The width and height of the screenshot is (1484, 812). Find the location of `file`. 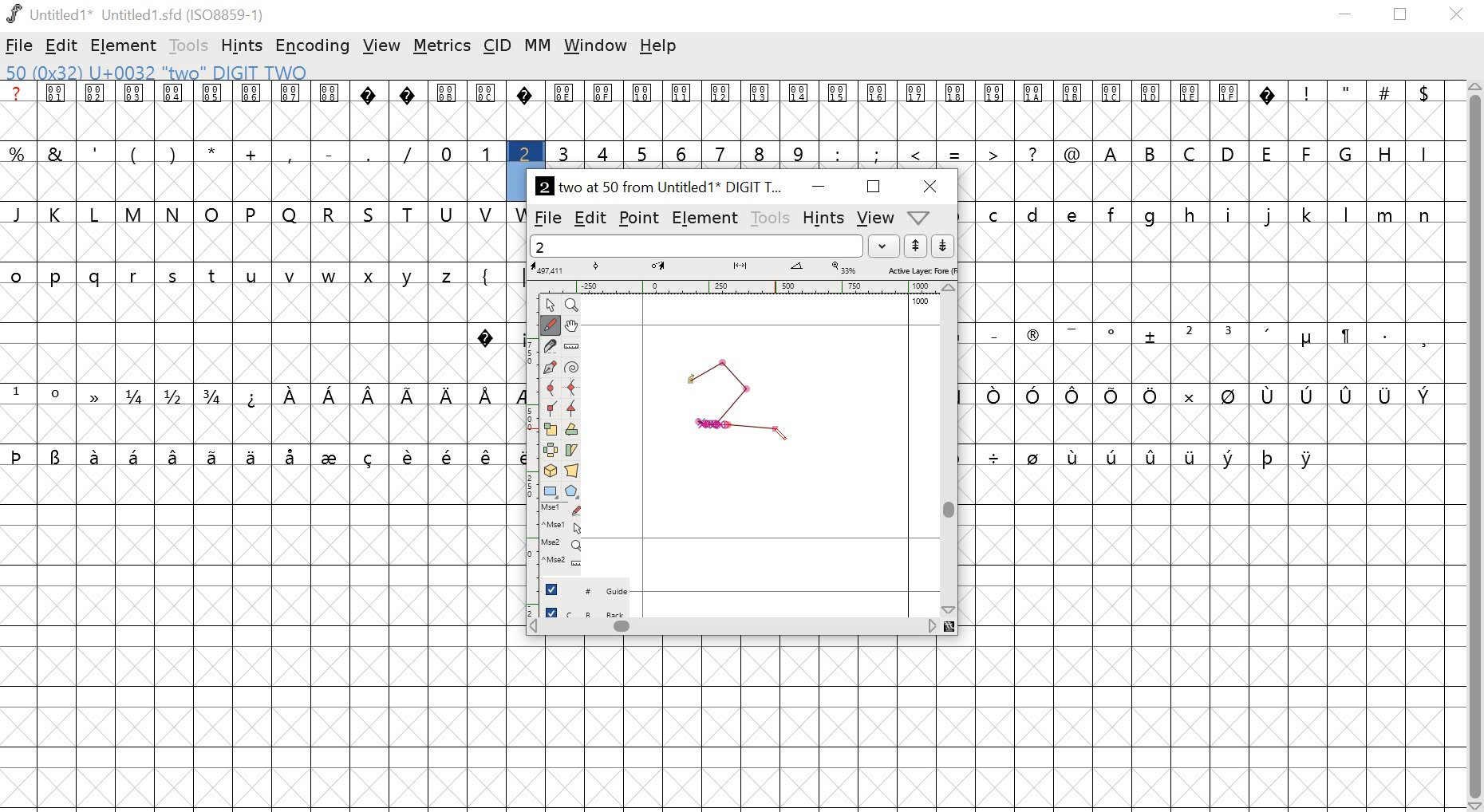

file is located at coordinates (547, 217).